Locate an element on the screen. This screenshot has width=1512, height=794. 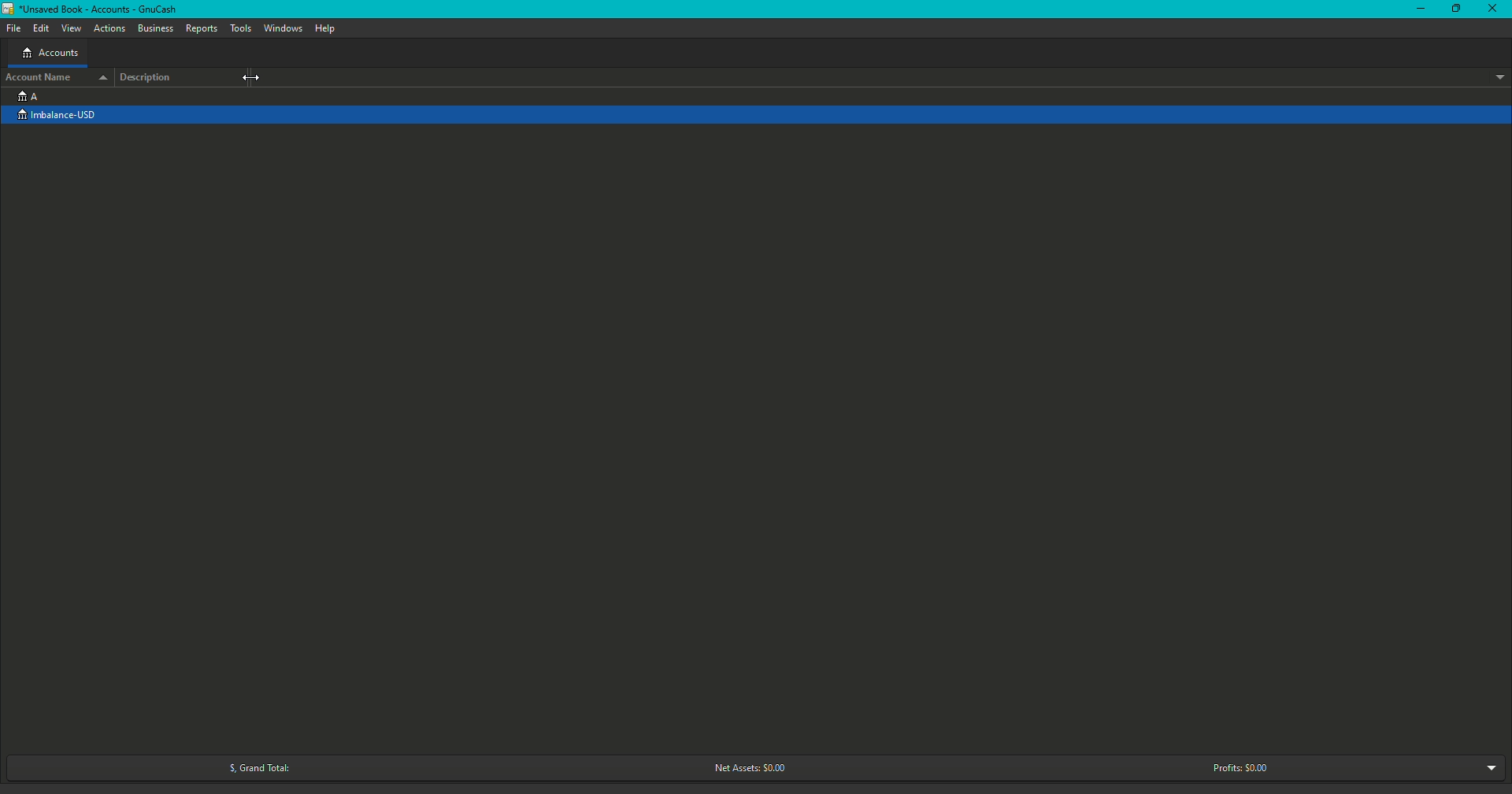
Reports is located at coordinates (202, 28).